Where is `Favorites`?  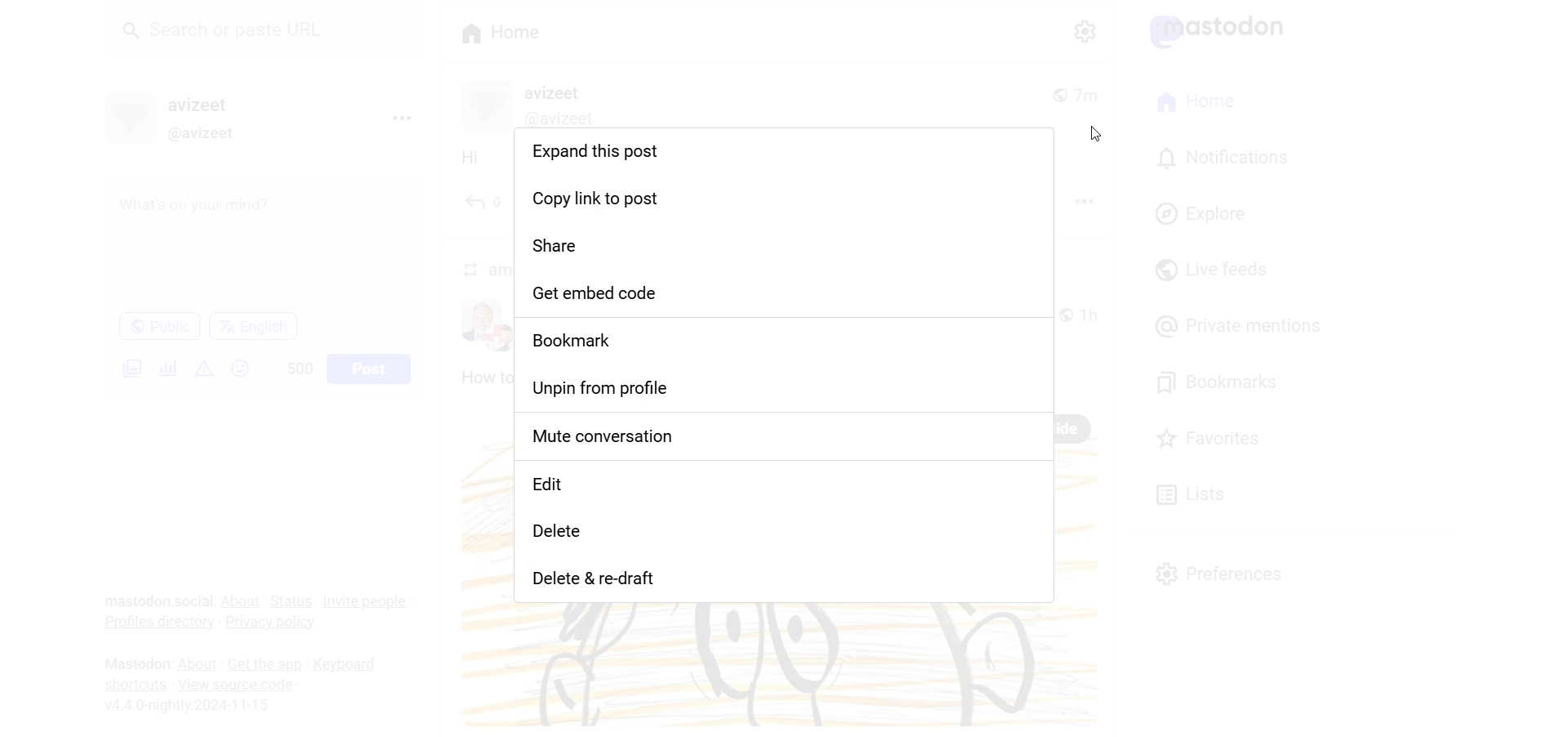 Favorites is located at coordinates (1220, 437).